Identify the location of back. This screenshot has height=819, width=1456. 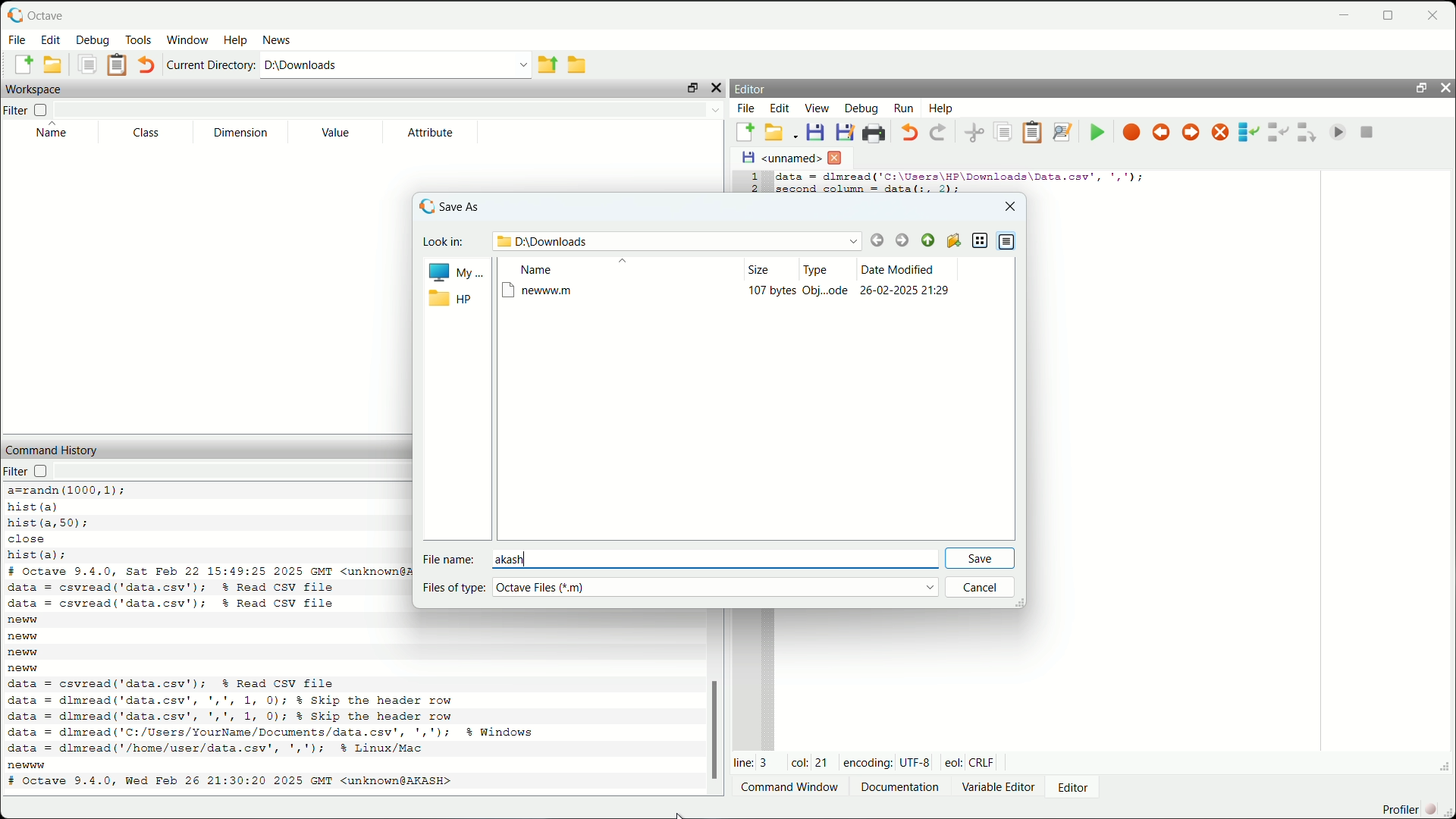
(877, 238).